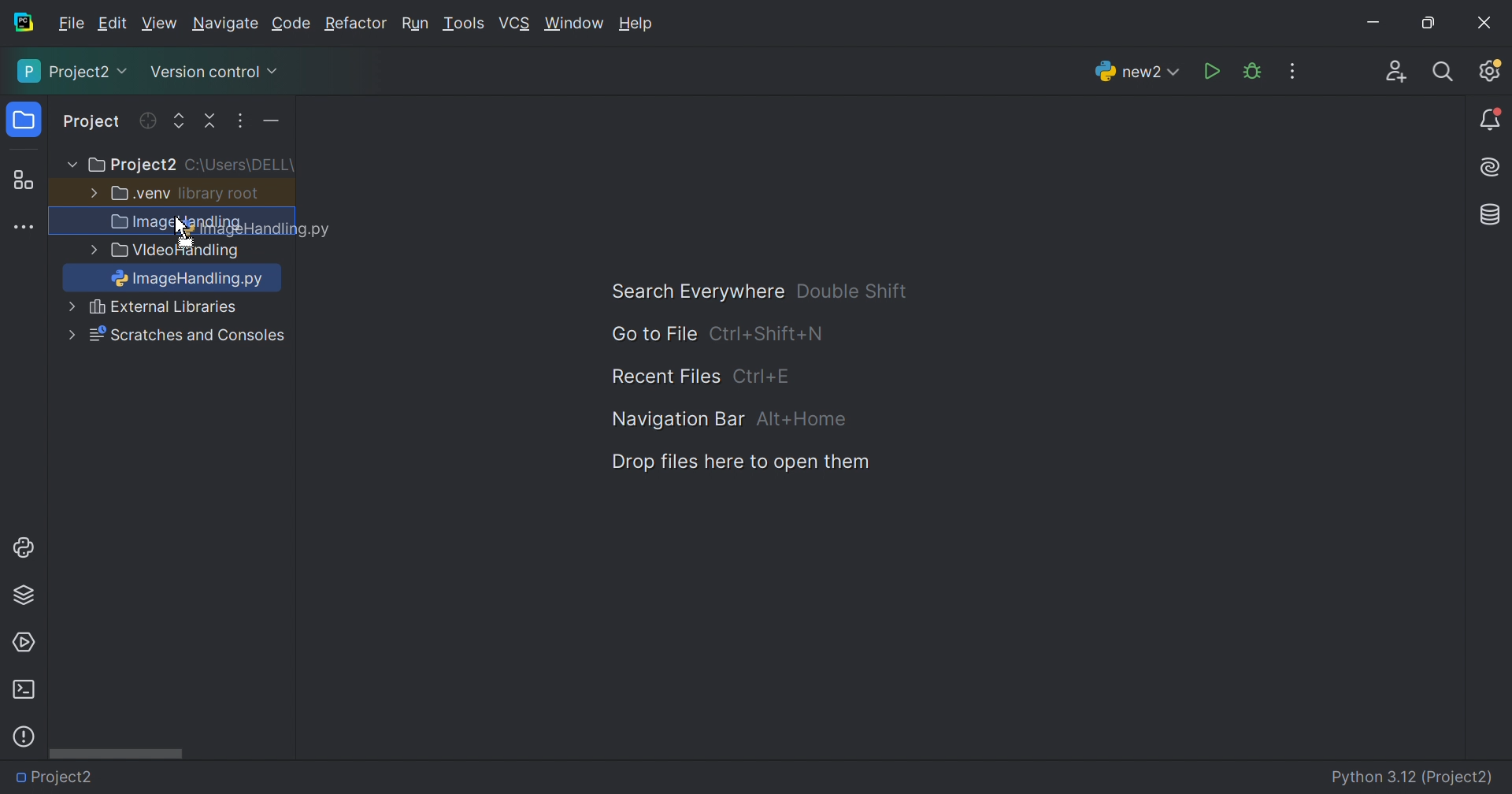 Image resolution: width=1512 pixels, height=794 pixels. I want to click on Project, so click(93, 123).